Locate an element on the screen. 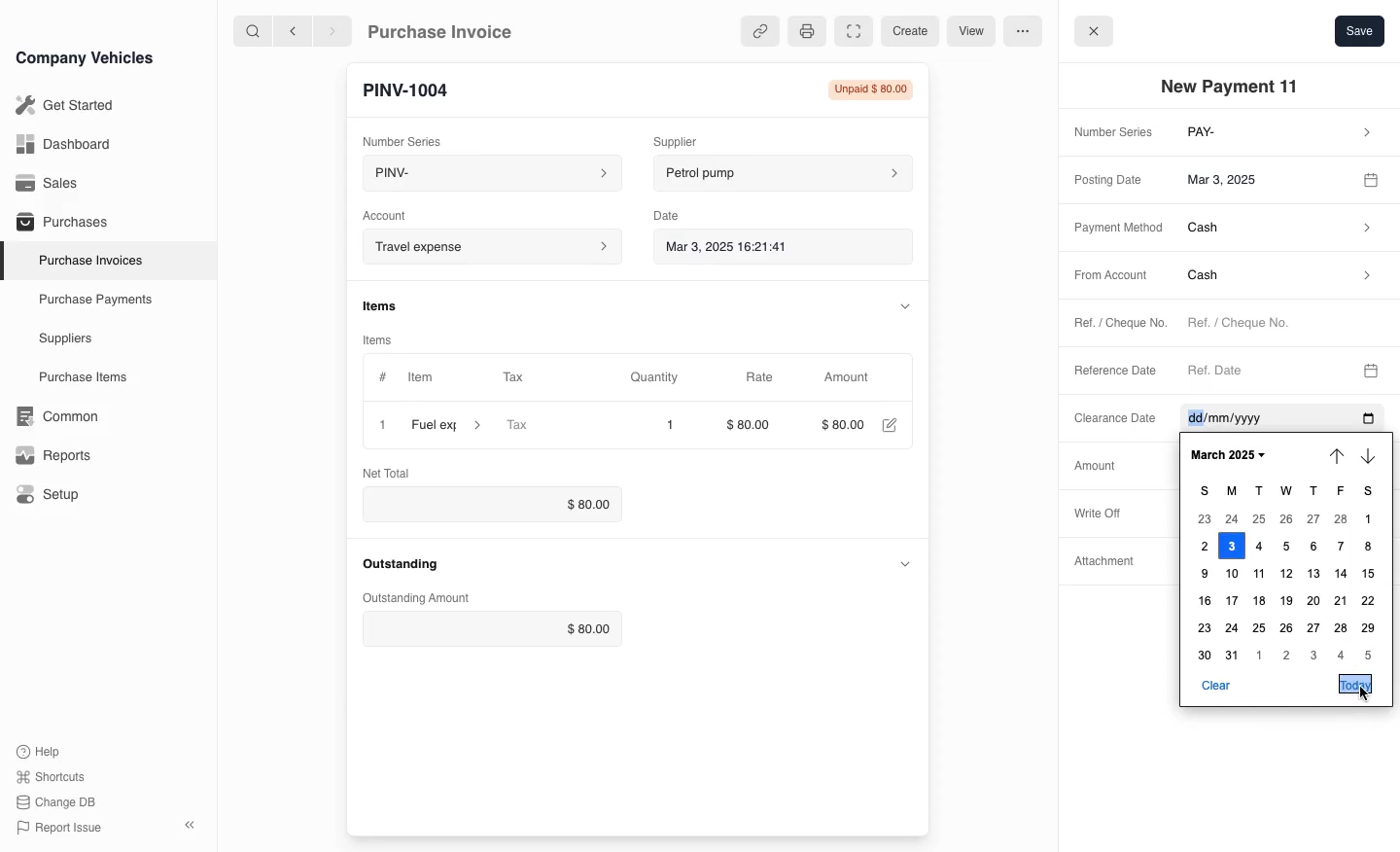 This screenshot has height=852, width=1400. search is located at coordinates (254, 30).